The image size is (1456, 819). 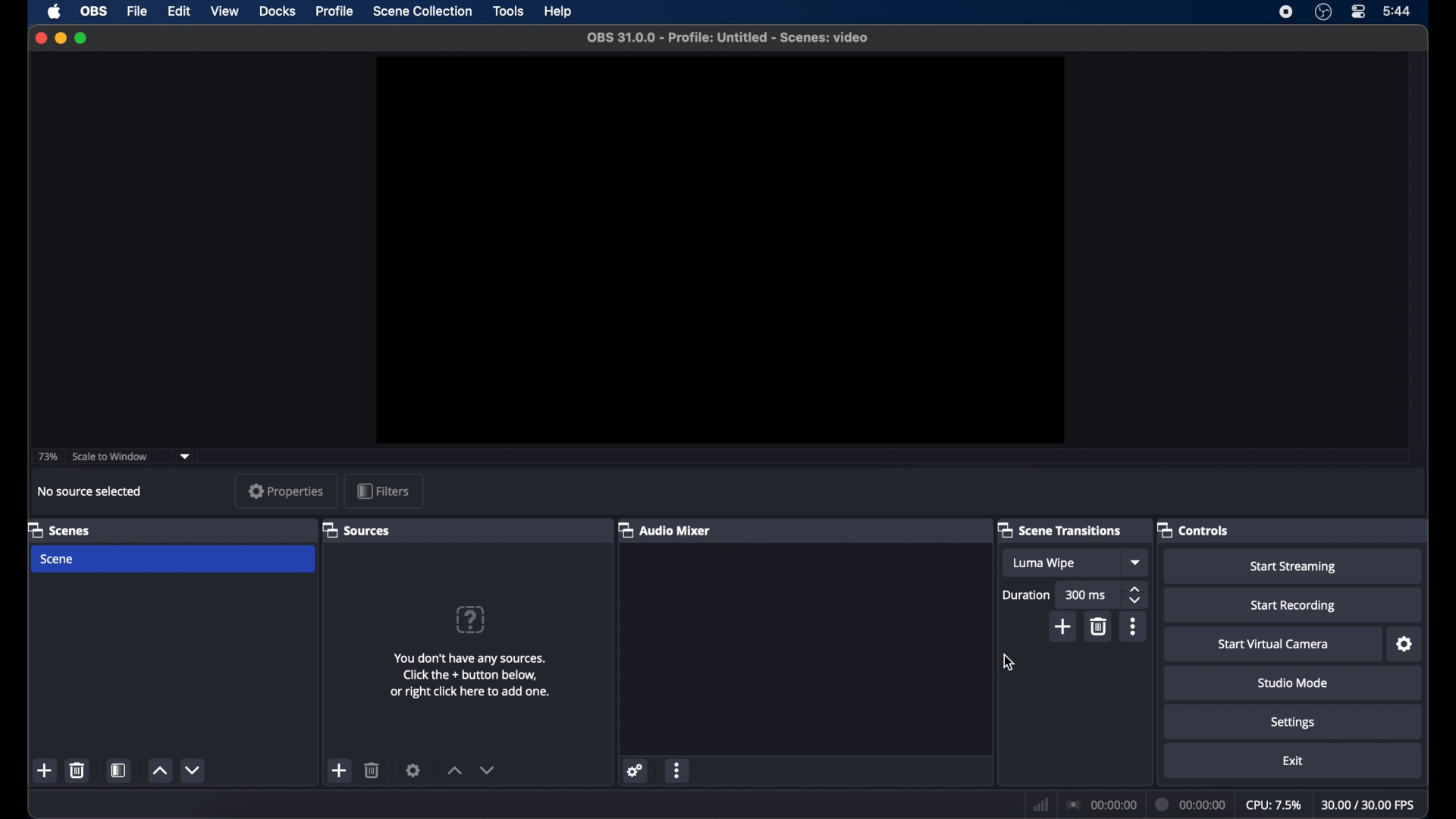 What do you see at coordinates (285, 491) in the screenshot?
I see `properties` at bounding box center [285, 491].